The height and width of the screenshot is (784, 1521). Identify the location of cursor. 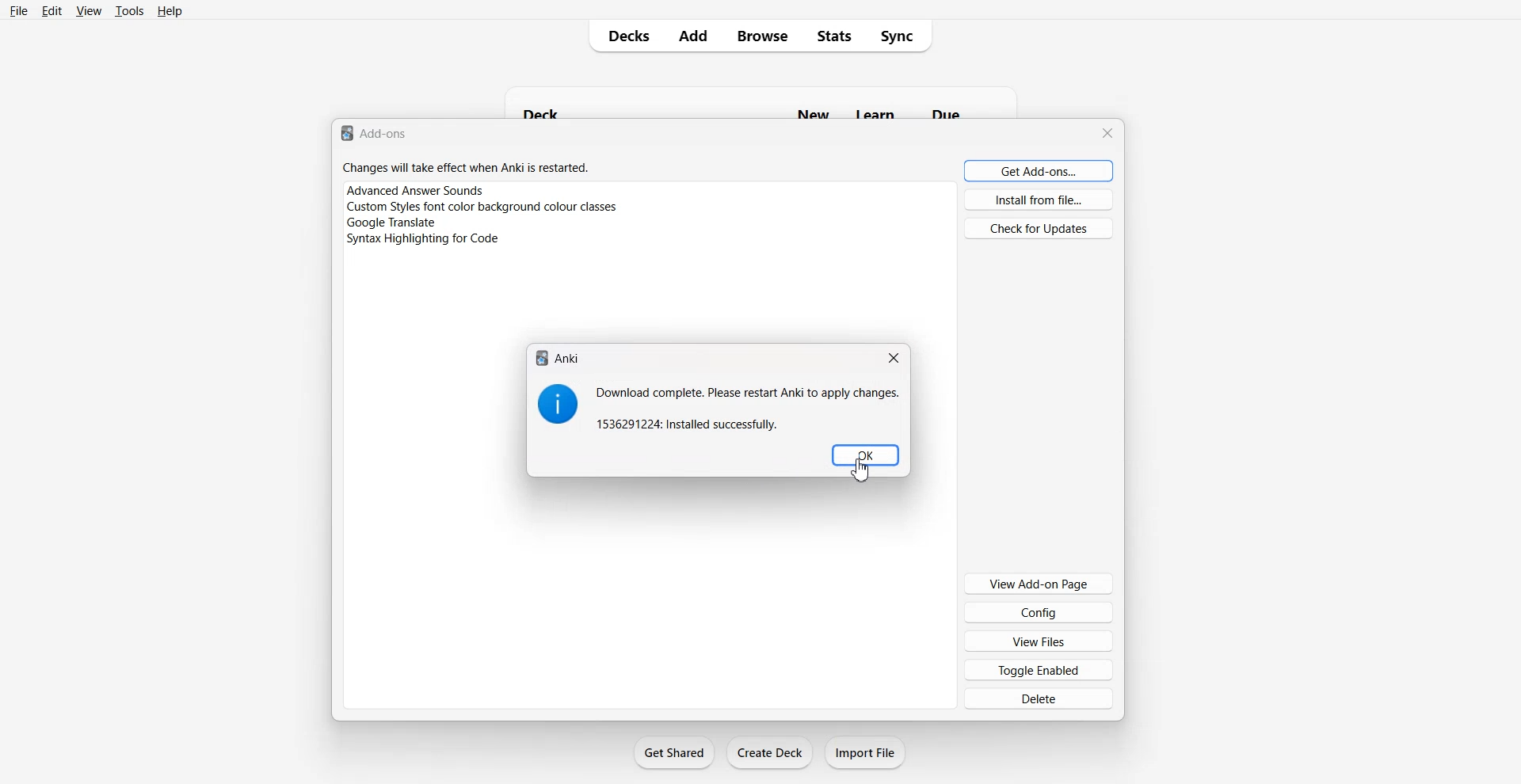
(862, 472).